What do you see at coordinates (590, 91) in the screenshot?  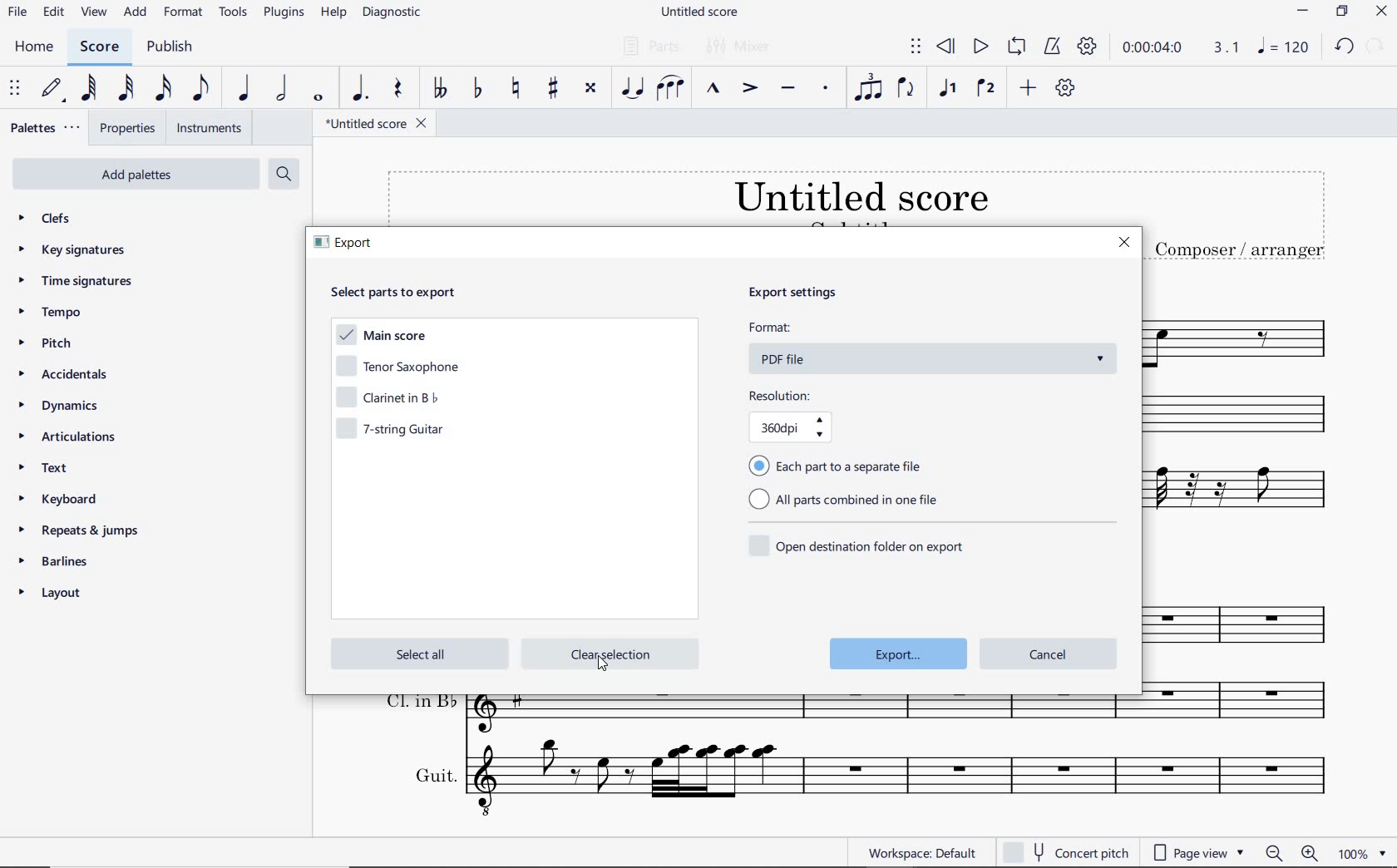 I see `TOGGLE DOUBLE-SHARP` at bounding box center [590, 91].